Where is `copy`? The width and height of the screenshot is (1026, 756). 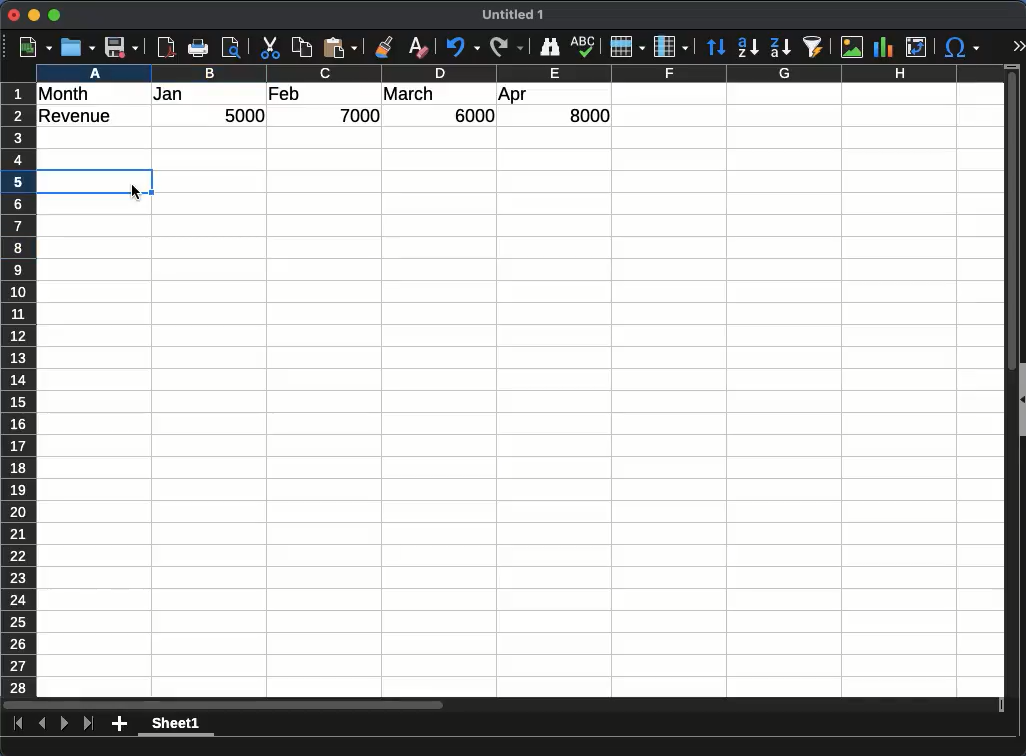 copy is located at coordinates (303, 47).